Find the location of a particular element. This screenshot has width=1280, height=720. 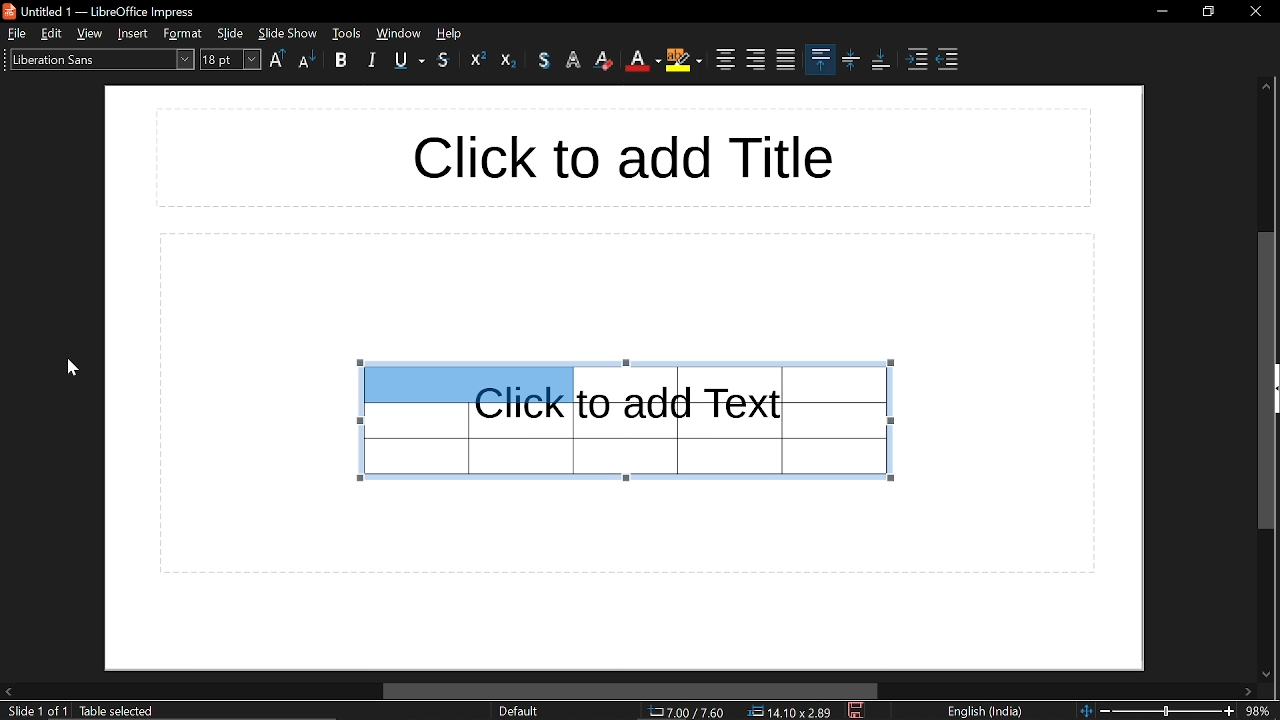

align right is located at coordinates (756, 59).